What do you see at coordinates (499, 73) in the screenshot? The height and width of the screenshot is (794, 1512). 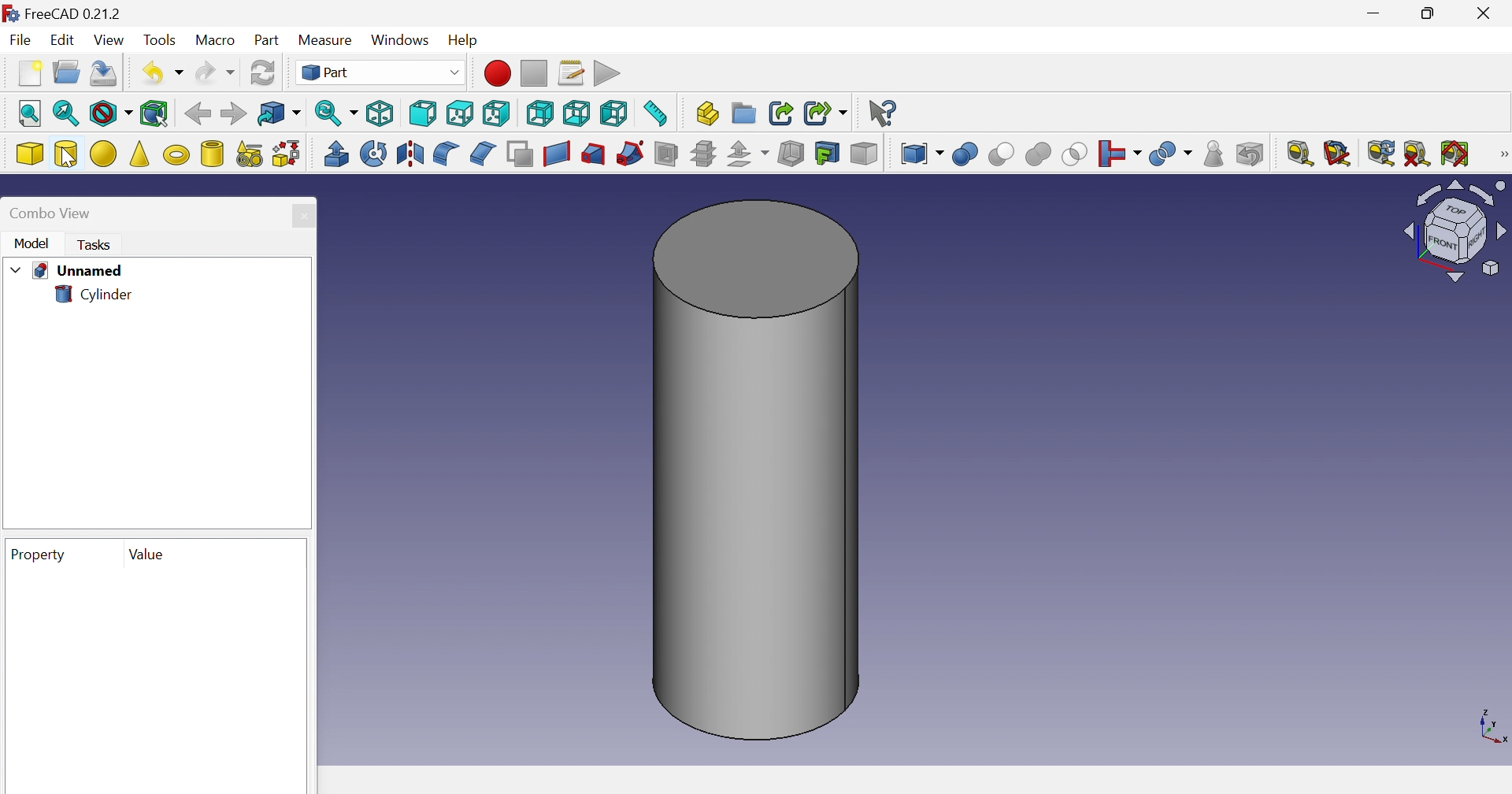 I see `Macro recording` at bounding box center [499, 73].